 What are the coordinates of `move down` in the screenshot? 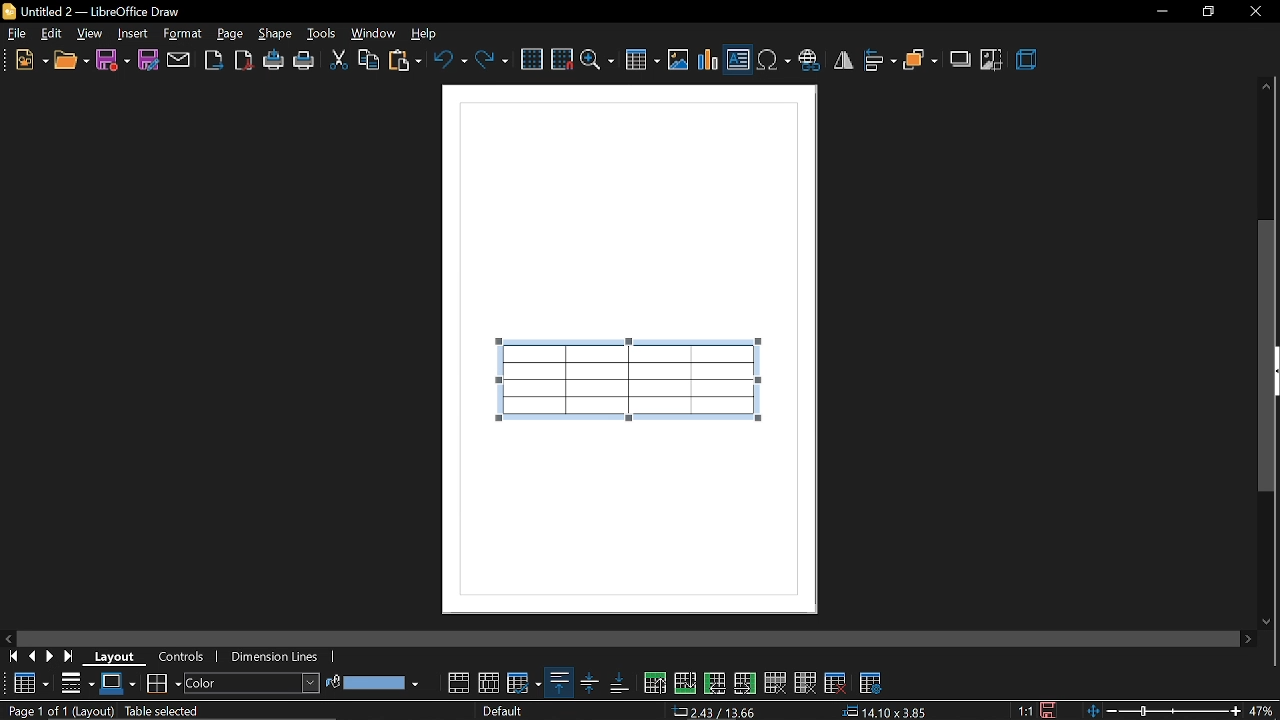 It's located at (1265, 620).